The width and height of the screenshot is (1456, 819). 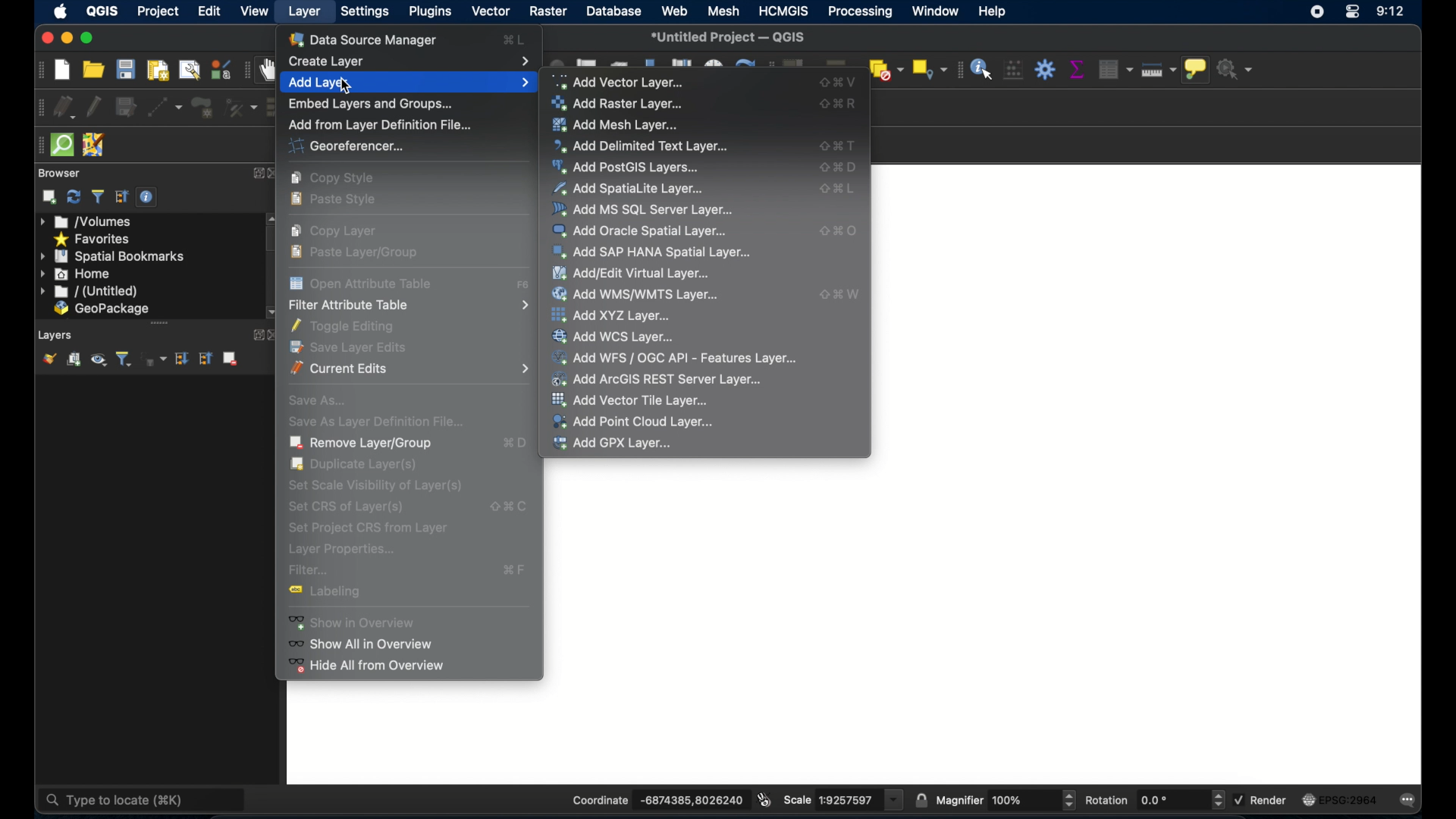 What do you see at coordinates (637, 400) in the screenshot?
I see `Add Vector Tile Layer...` at bounding box center [637, 400].